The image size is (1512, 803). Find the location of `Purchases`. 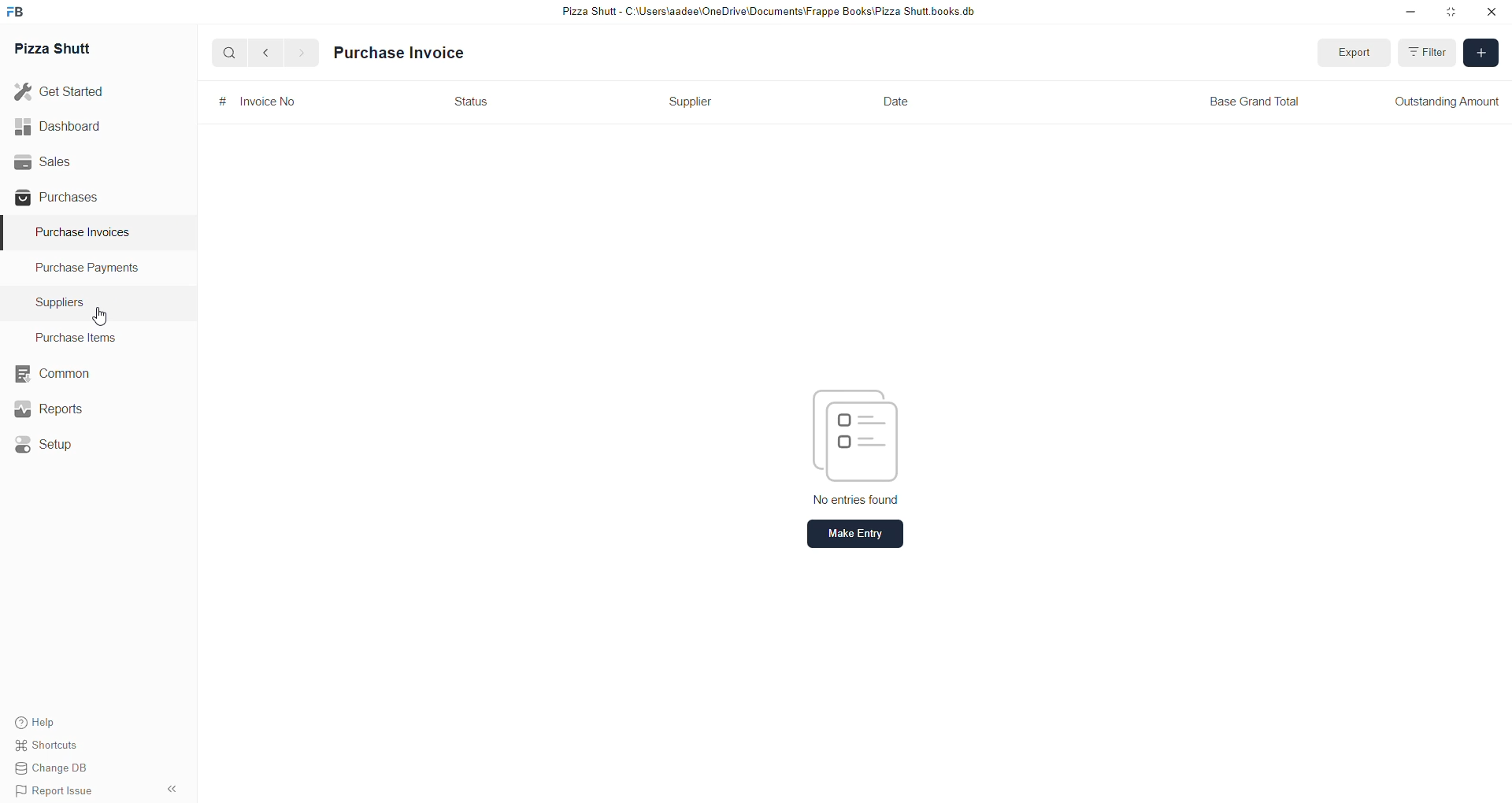

Purchases is located at coordinates (76, 197).